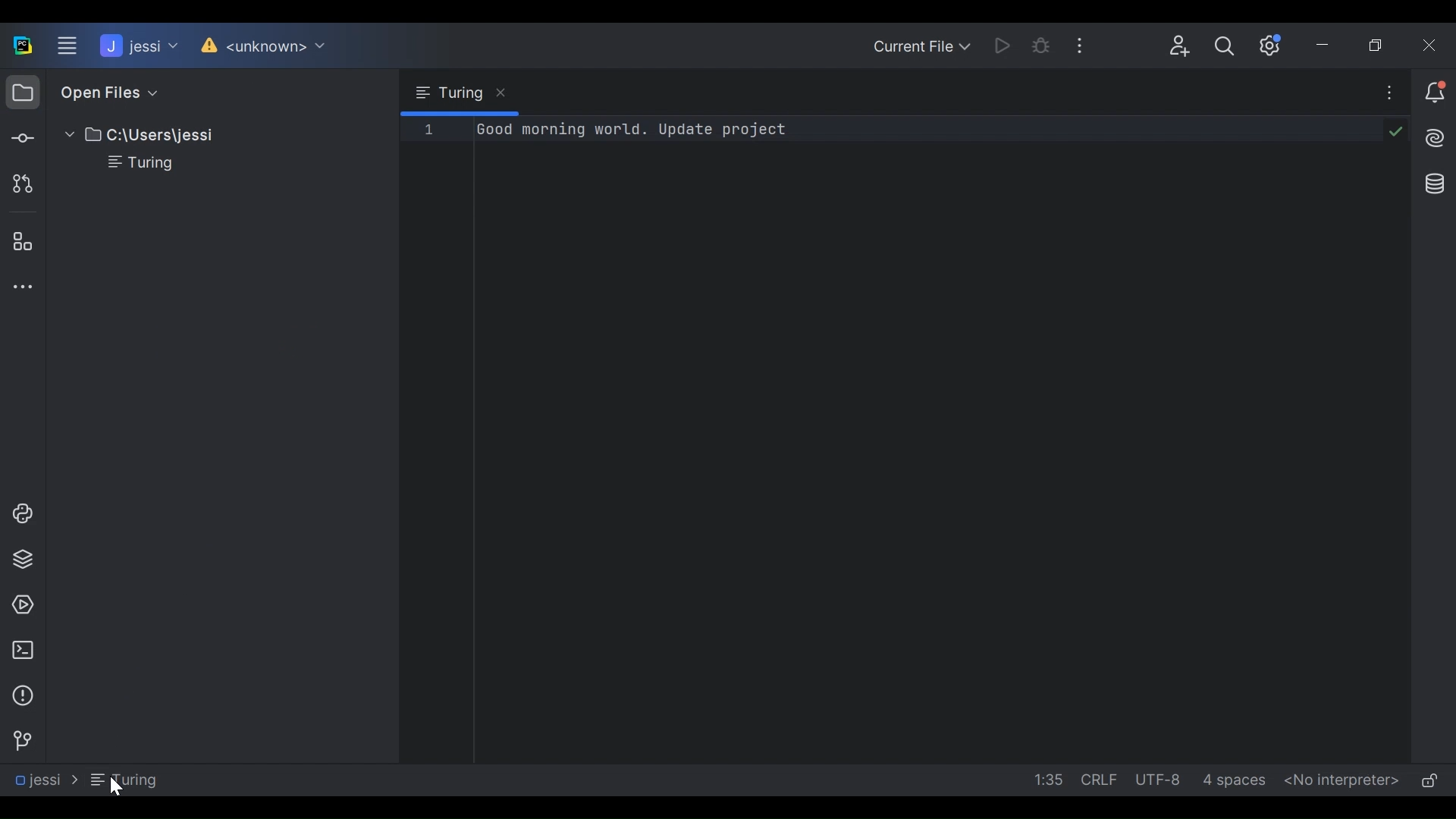  Describe the element at coordinates (1435, 184) in the screenshot. I see `Database` at that location.